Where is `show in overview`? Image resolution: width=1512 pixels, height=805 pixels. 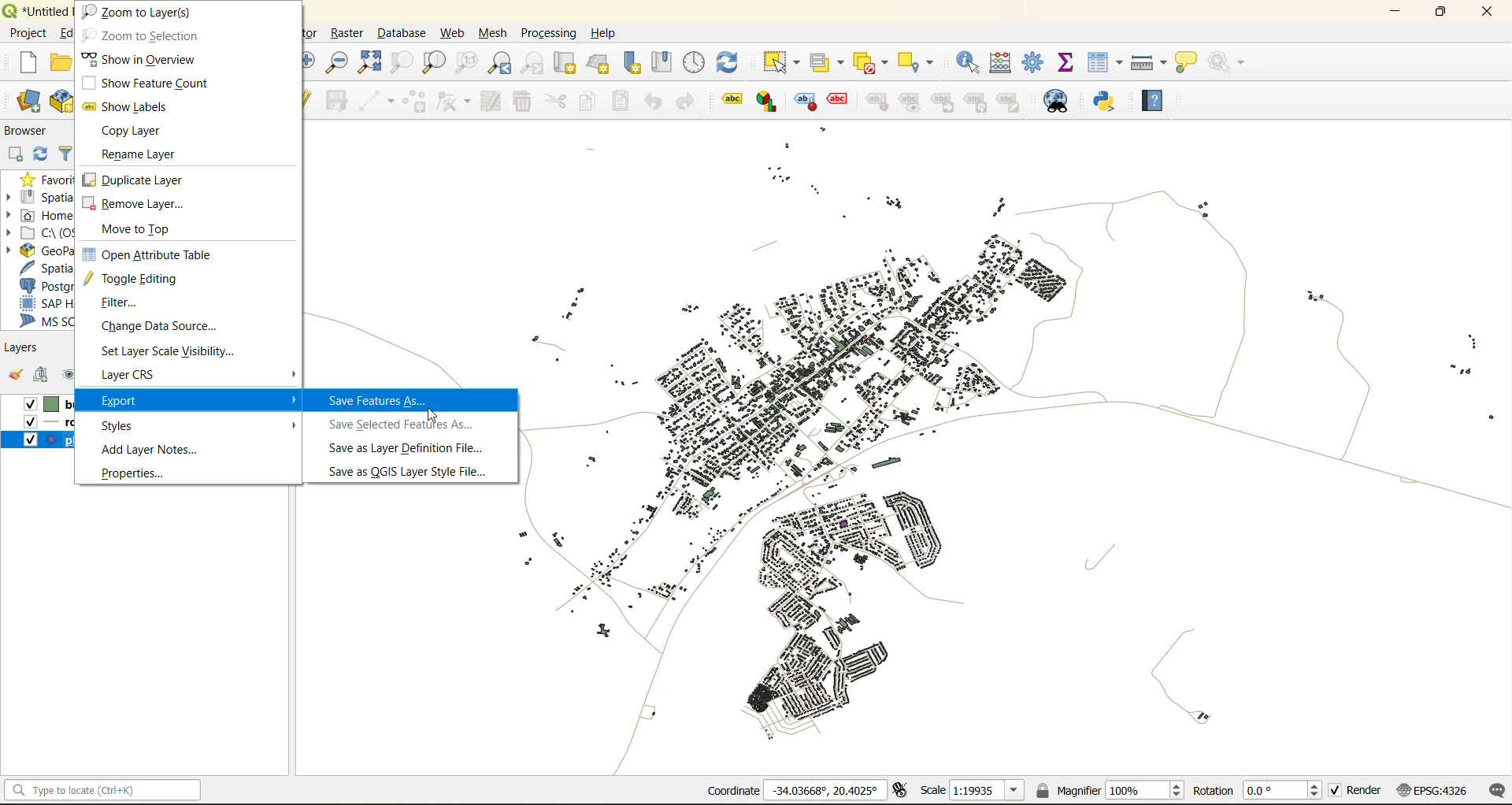 show in overview is located at coordinates (143, 58).